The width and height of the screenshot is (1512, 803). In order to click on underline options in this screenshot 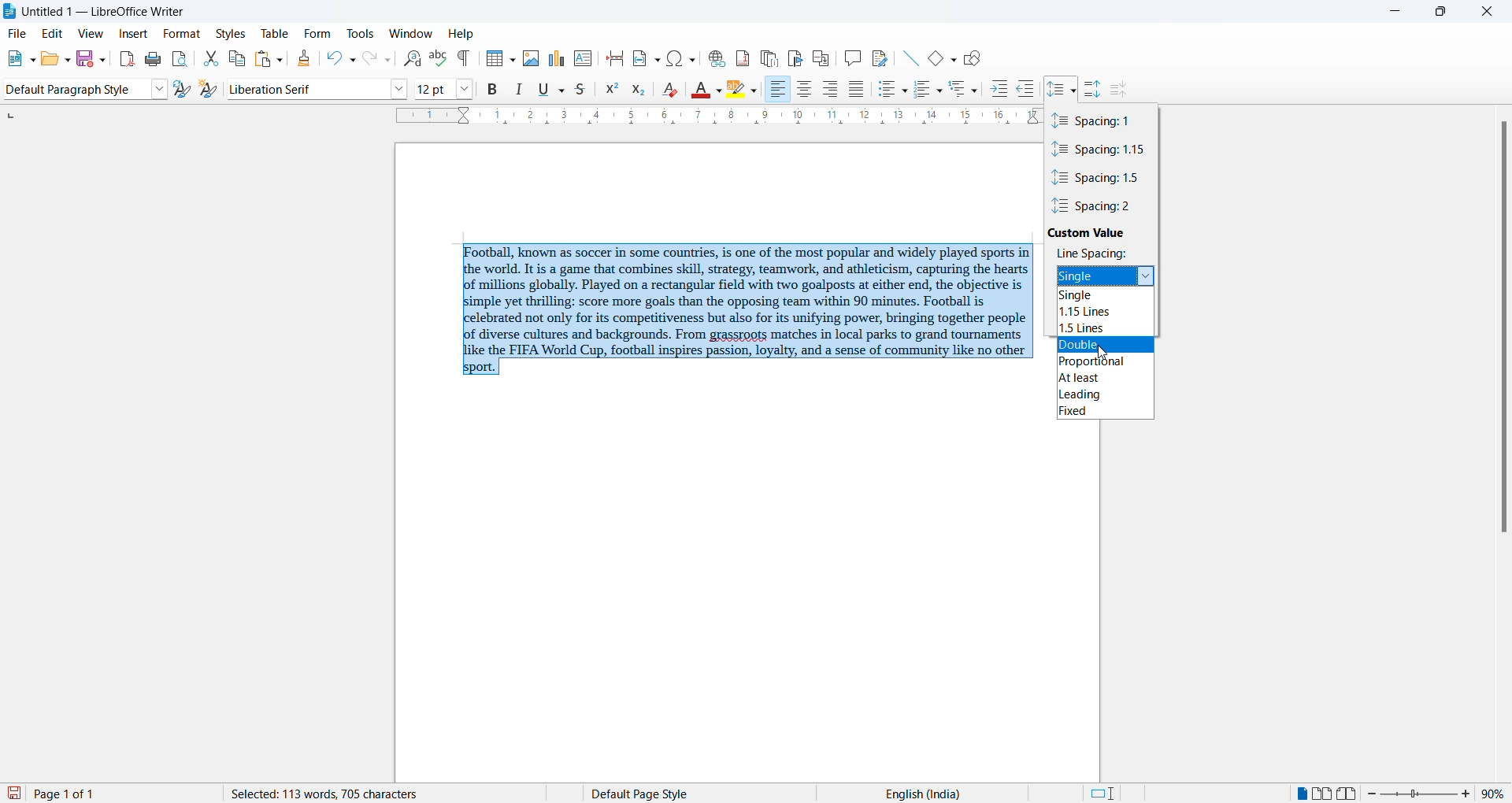, I will do `click(561, 90)`.